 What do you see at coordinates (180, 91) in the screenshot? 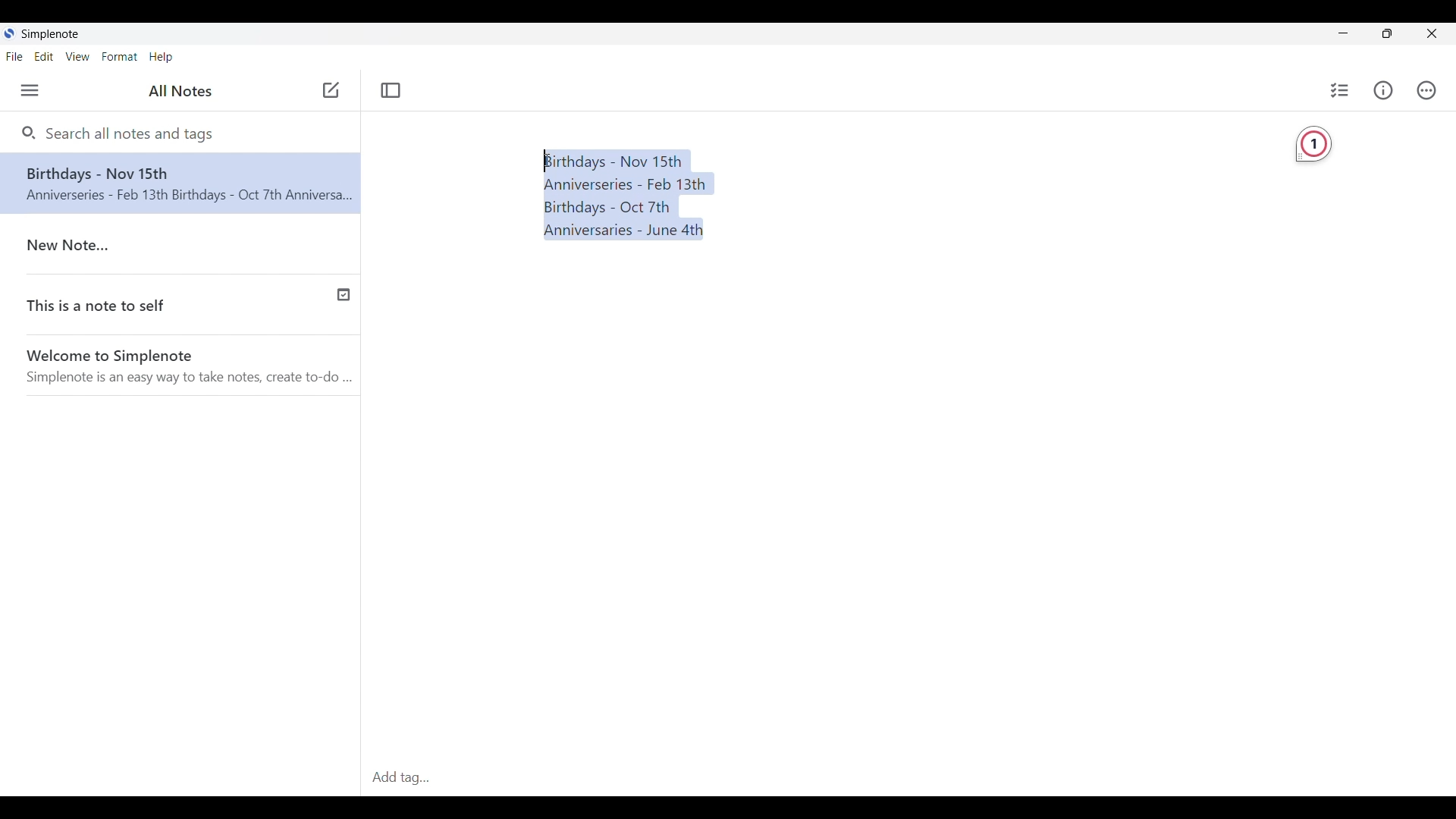
I see `All Notes(Title of left side panel)` at bounding box center [180, 91].